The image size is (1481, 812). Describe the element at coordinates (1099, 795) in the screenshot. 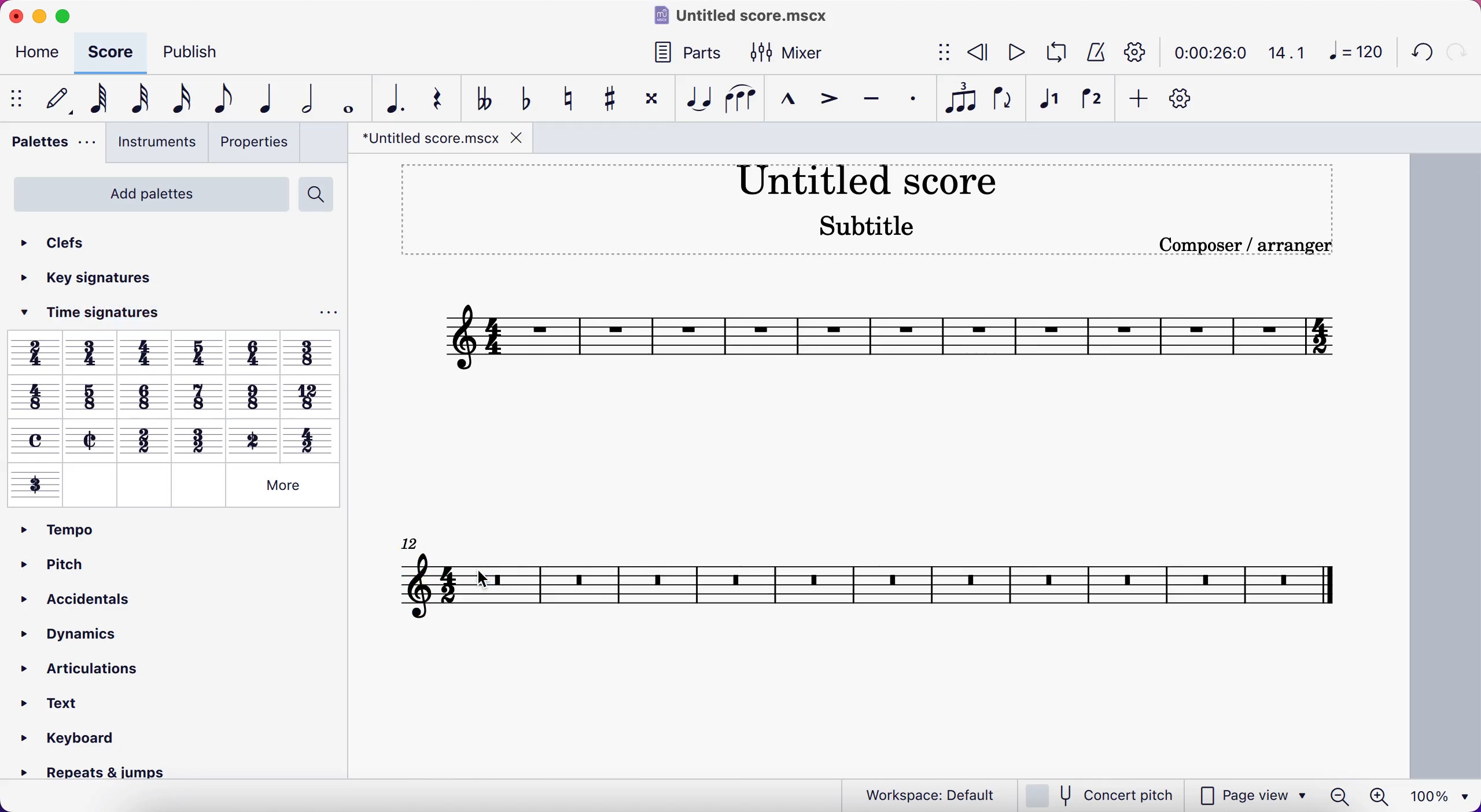

I see `concert pitch` at that location.